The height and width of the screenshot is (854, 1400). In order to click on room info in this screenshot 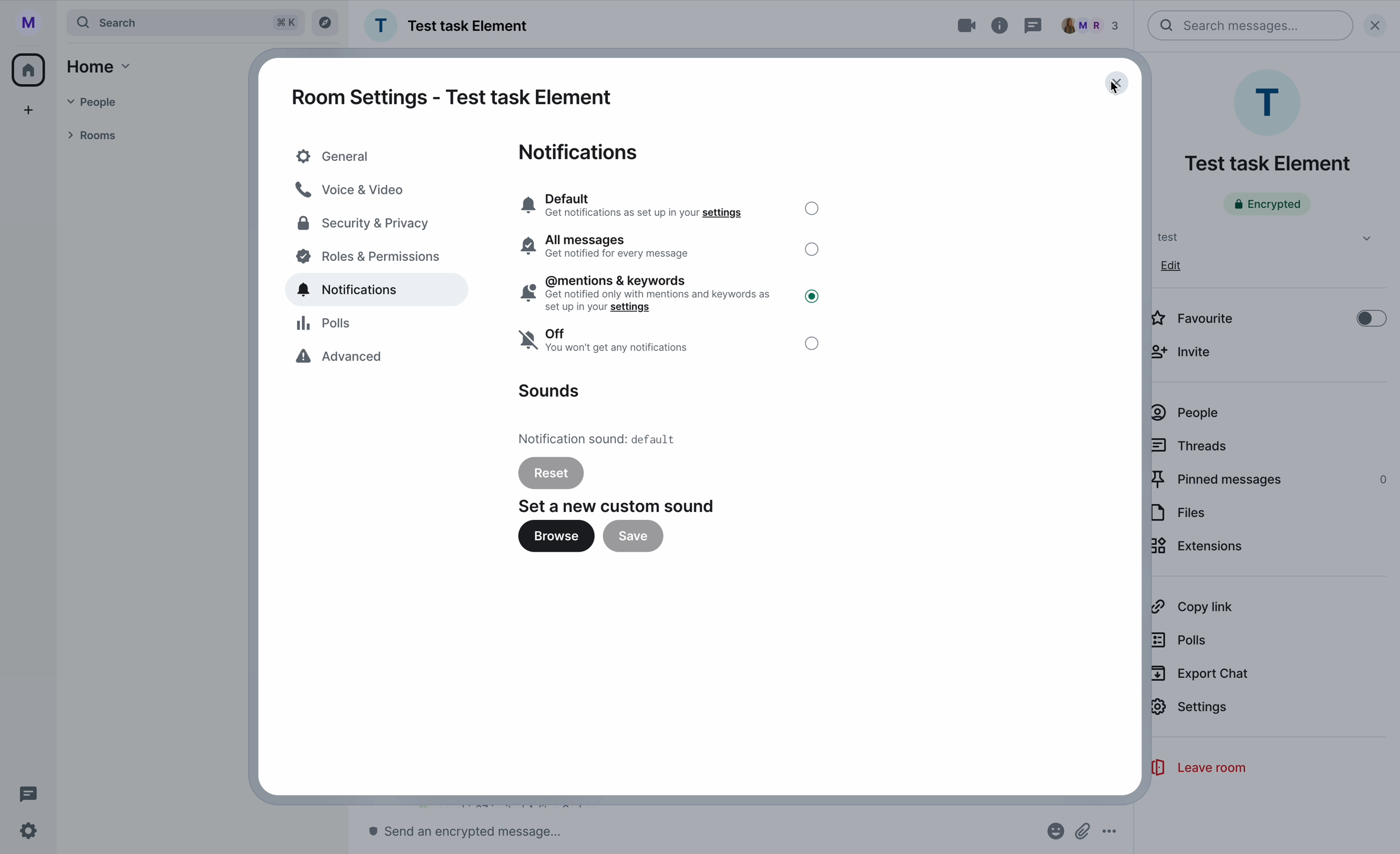, I will do `click(1001, 26)`.